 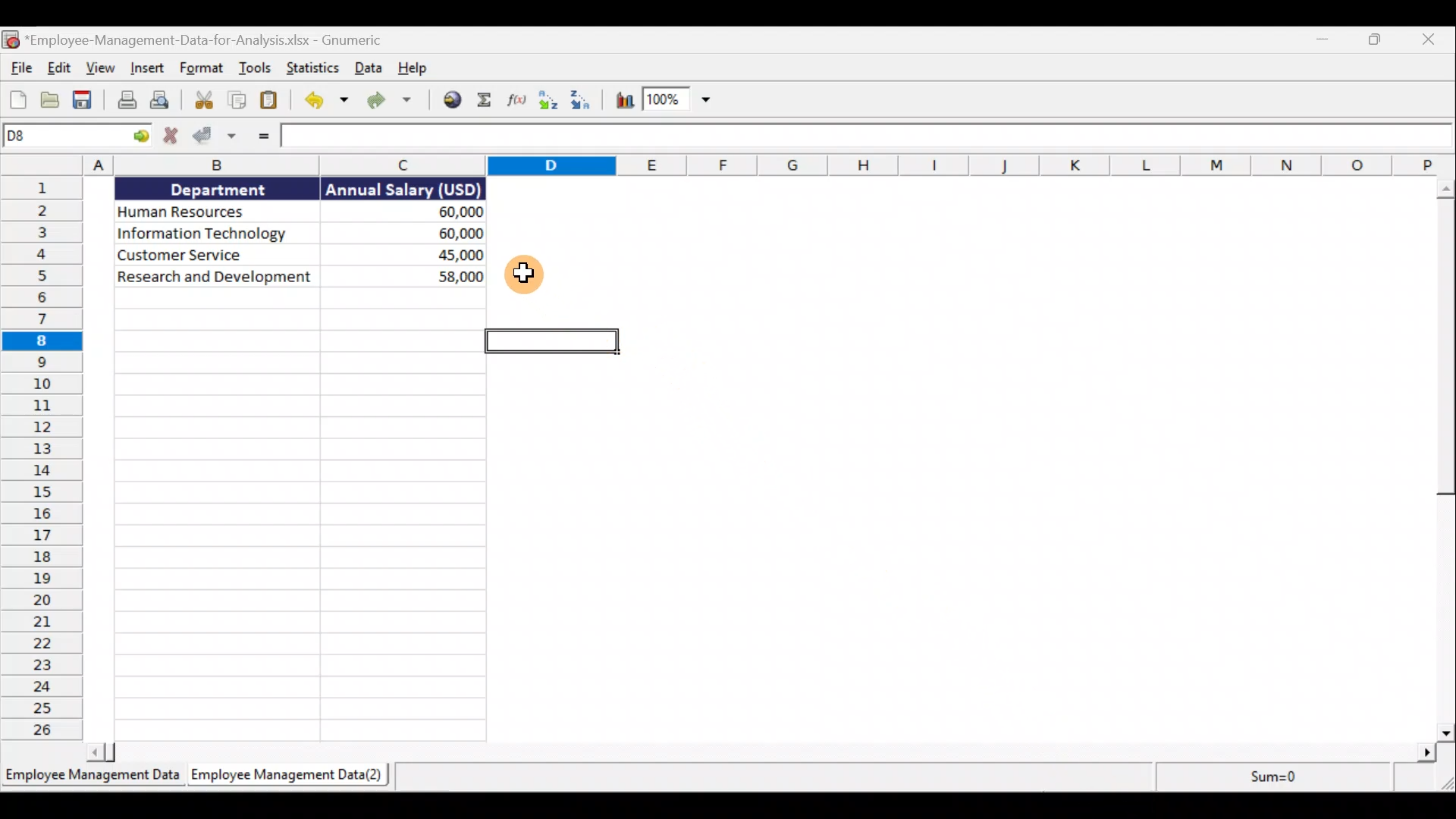 What do you see at coordinates (124, 101) in the screenshot?
I see `Print the current file` at bounding box center [124, 101].